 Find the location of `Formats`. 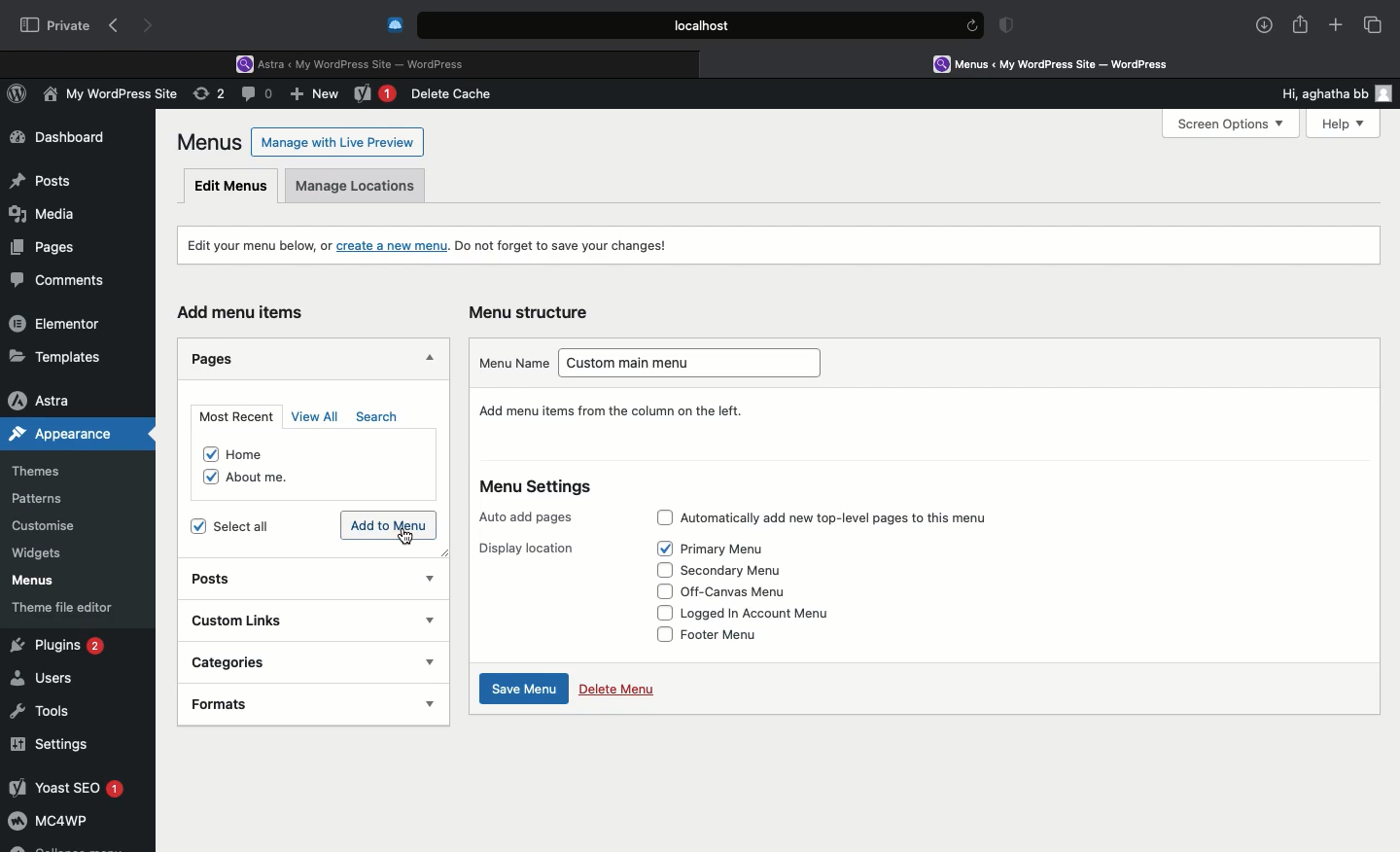

Formats is located at coordinates (265, 702).